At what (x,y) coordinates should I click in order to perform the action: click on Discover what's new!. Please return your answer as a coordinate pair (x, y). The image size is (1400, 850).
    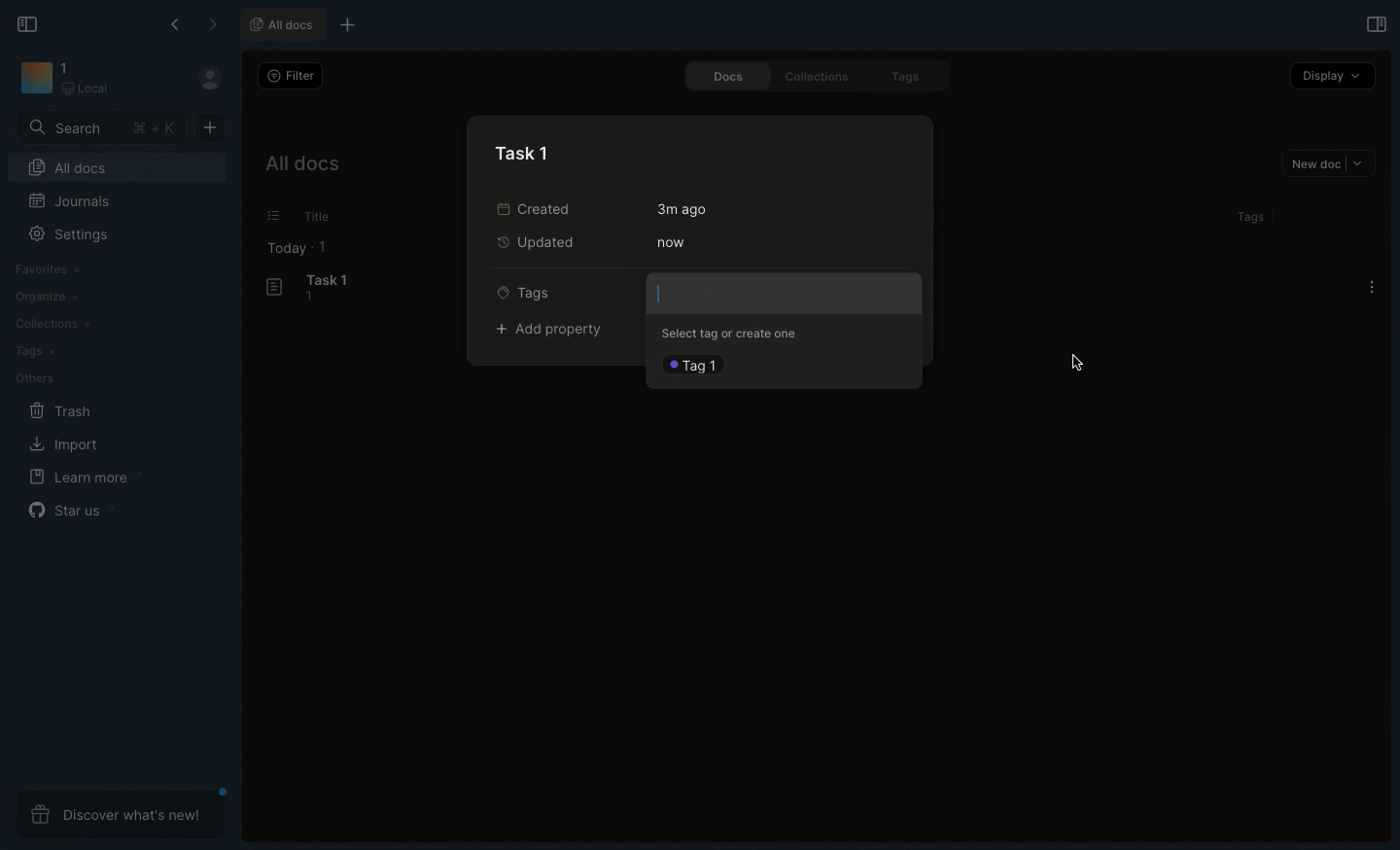
    Looking at the image, I should click on (122, 814).